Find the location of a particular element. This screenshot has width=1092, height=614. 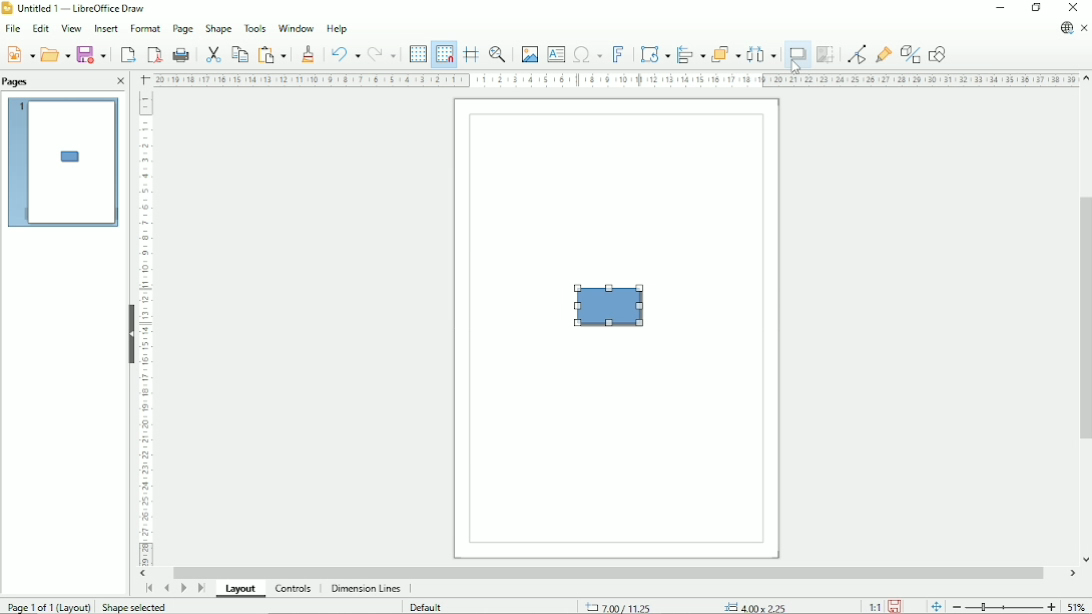

Open is located at coordinates (55, 54).